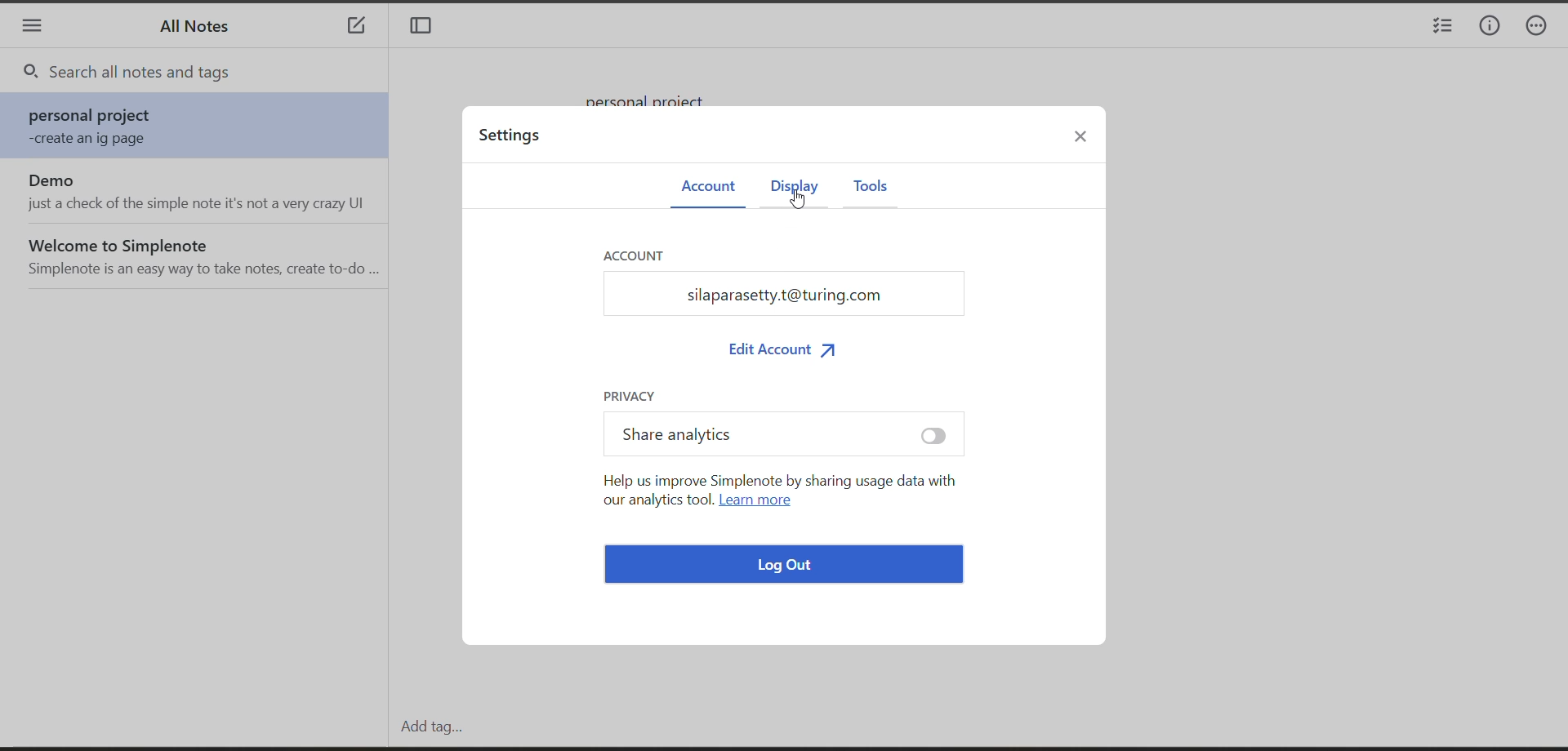 The height and width of the screenshot is (751, 1568). I want to click on share analytics, so click(777, 435).